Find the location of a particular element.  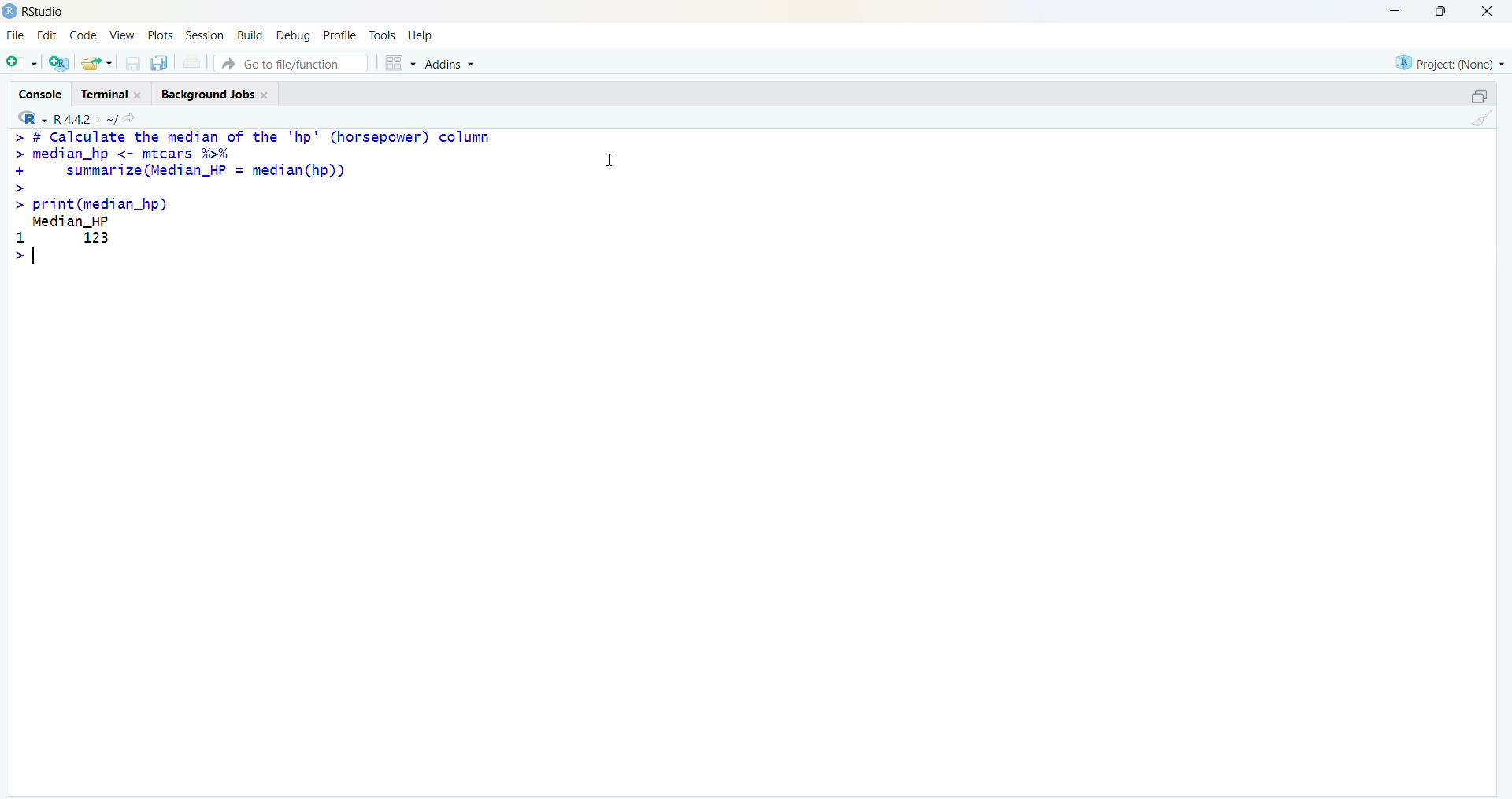

close is located at coordinates (1488, 10).